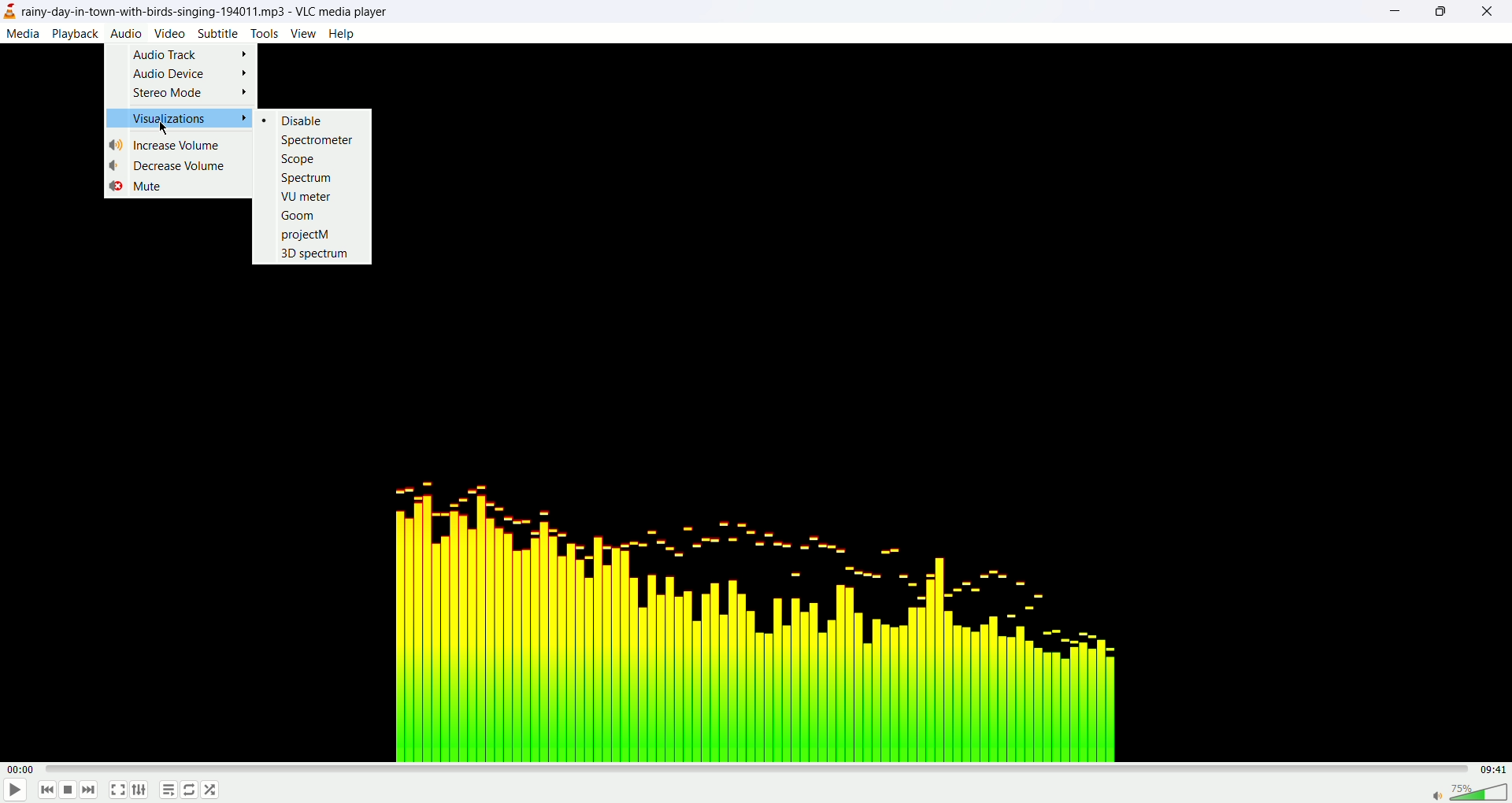 The height and width of the screenshot is (803, 1512). What do you see at coordinates (207, 11) in the screenshot?
I see `rainy-day-in-town-with-birds-singing-194011.mp3-VLC media player` at bounding box center [207, 11].